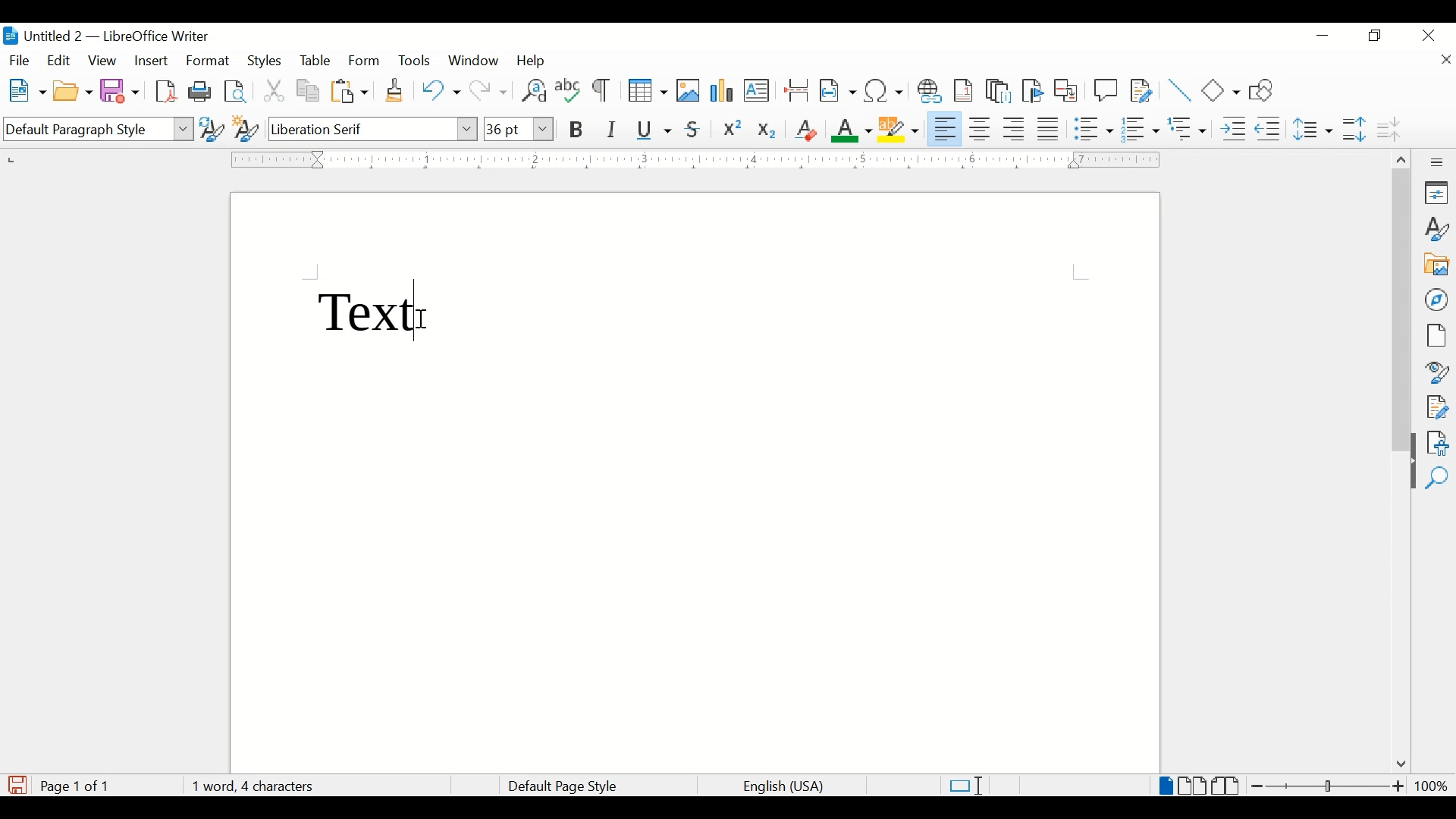 This screenshot has height=819, width=1456. Describe the element at coordinates (246, 126) in the screenshot. I see `new style from selection` at that location.